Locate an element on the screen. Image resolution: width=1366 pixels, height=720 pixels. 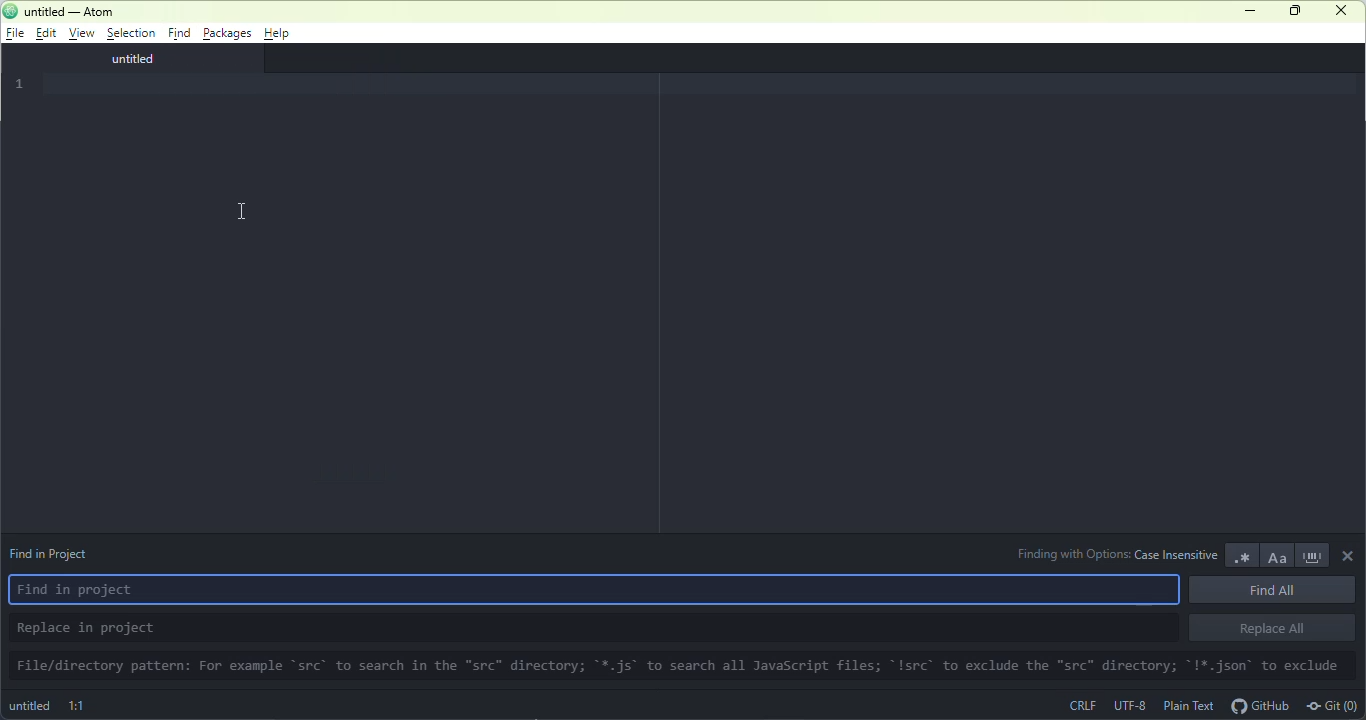
close is located at coordinates (1349, 553).